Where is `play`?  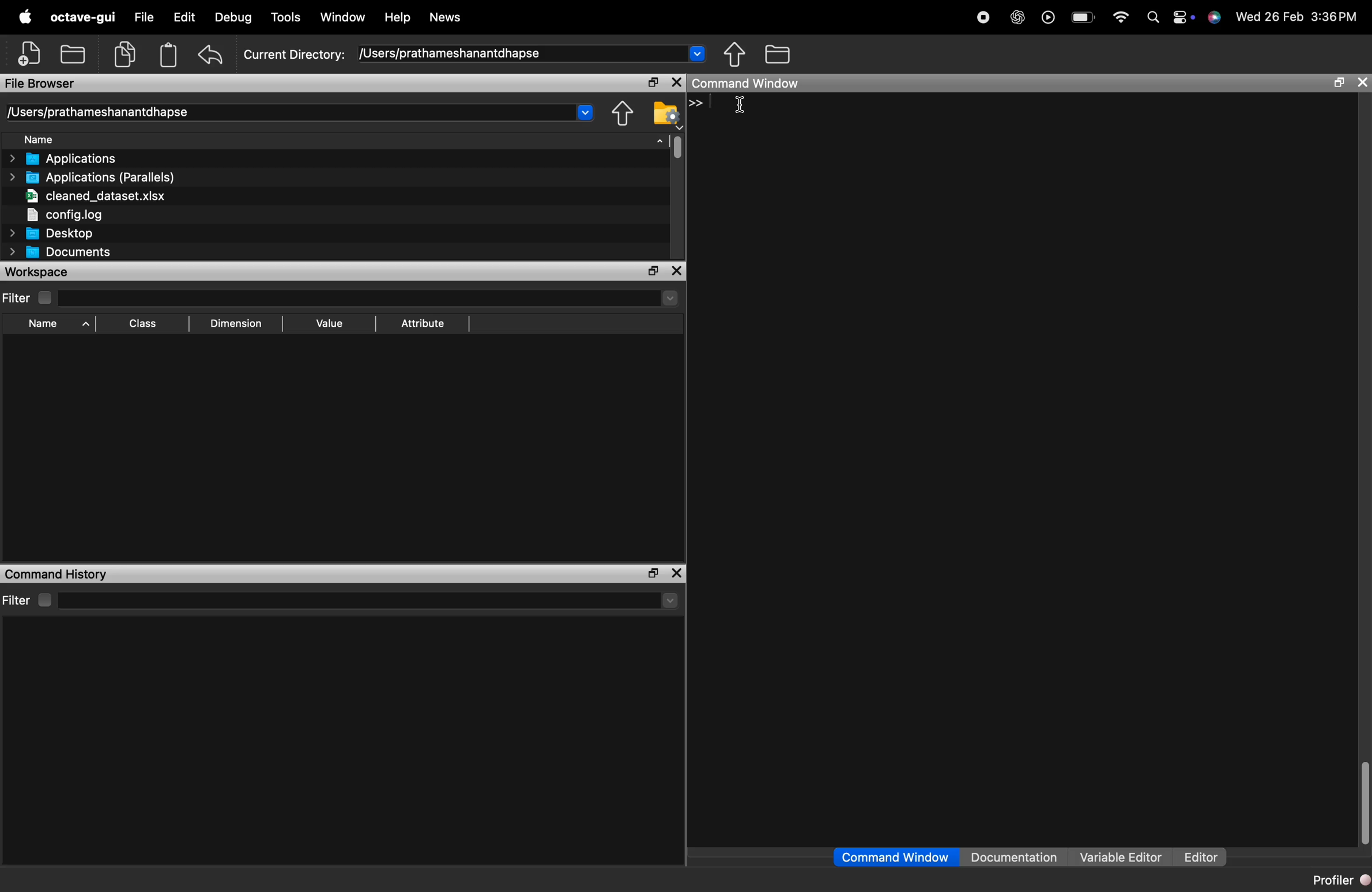
play is located at coordinates (1051, 17).